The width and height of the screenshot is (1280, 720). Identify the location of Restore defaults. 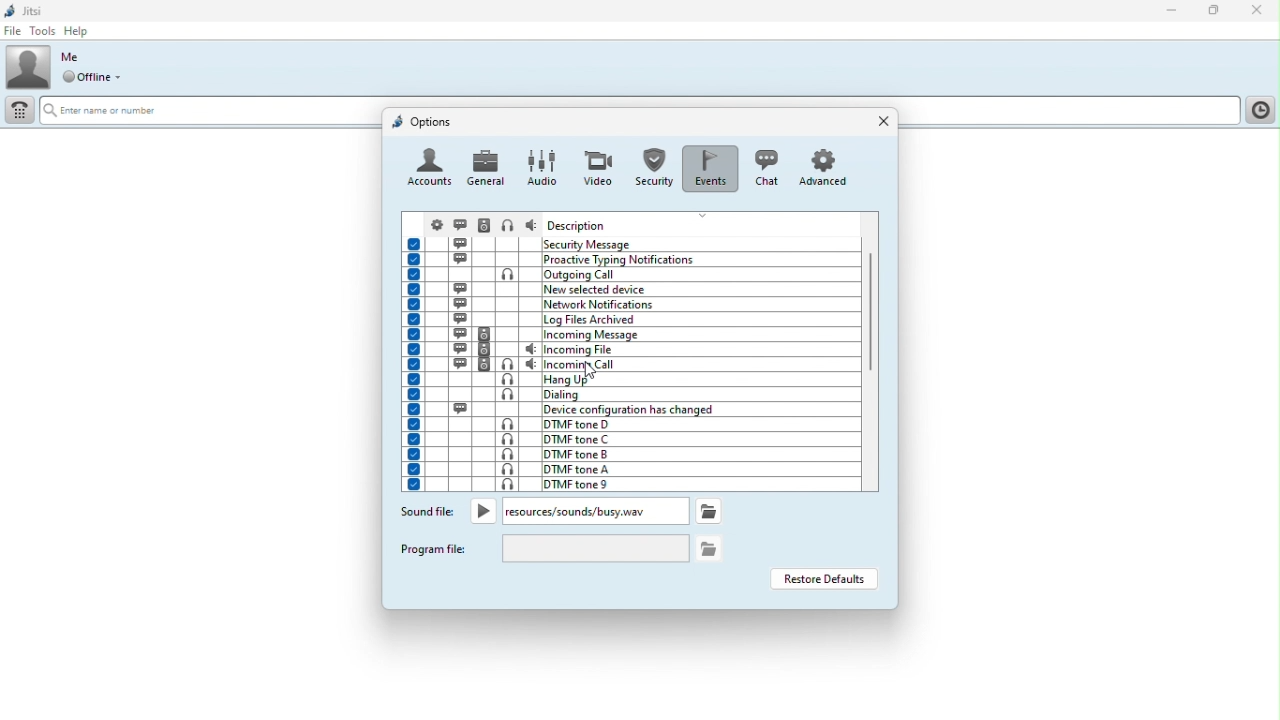
(823, 579).